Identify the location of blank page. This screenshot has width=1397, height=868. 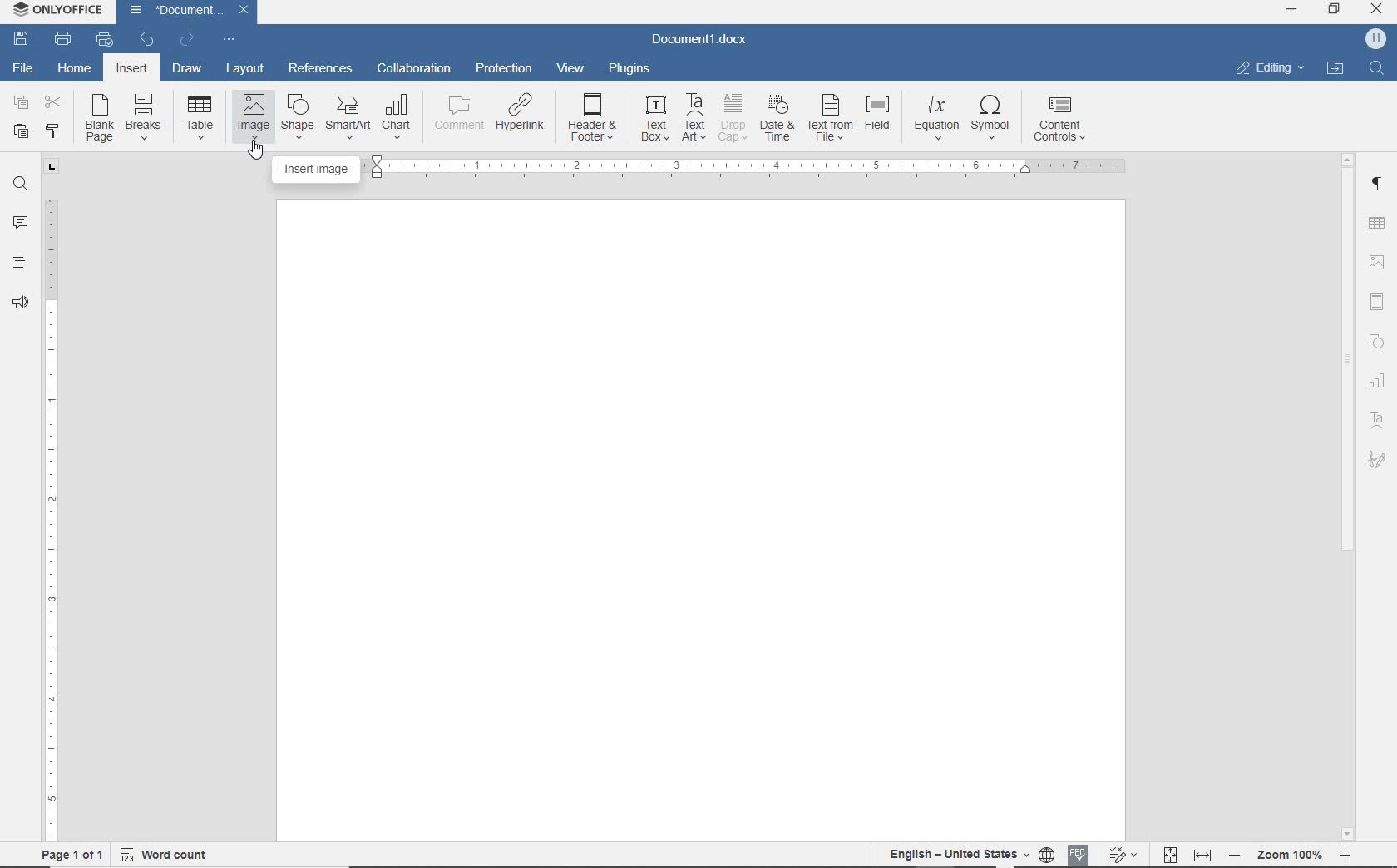
(98, 117).